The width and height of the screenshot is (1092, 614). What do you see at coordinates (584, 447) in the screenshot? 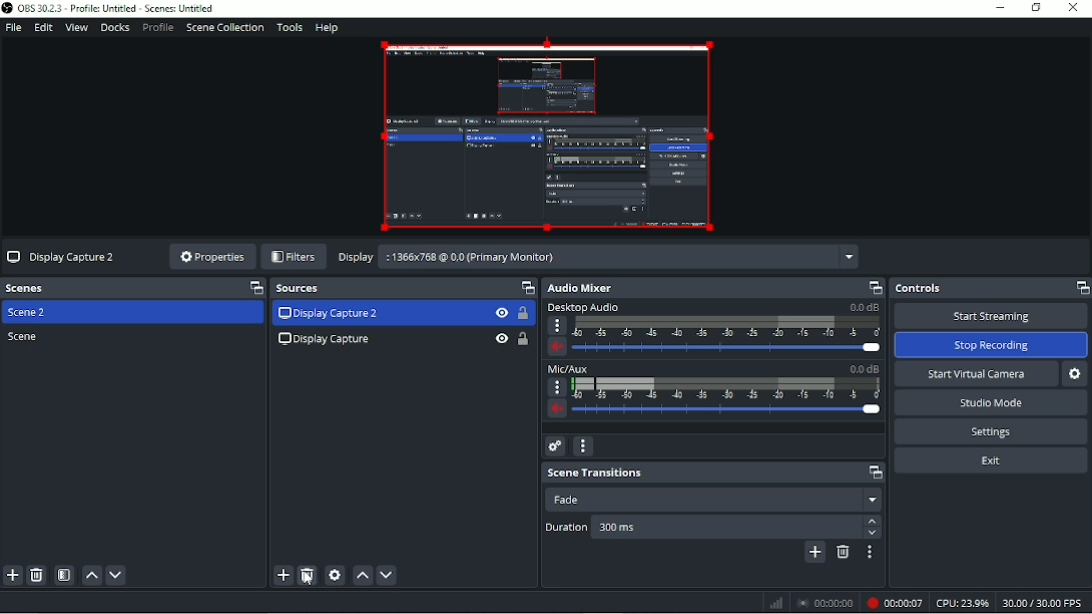
I see `Audio mixer menu` at bounding box center [584, 447].